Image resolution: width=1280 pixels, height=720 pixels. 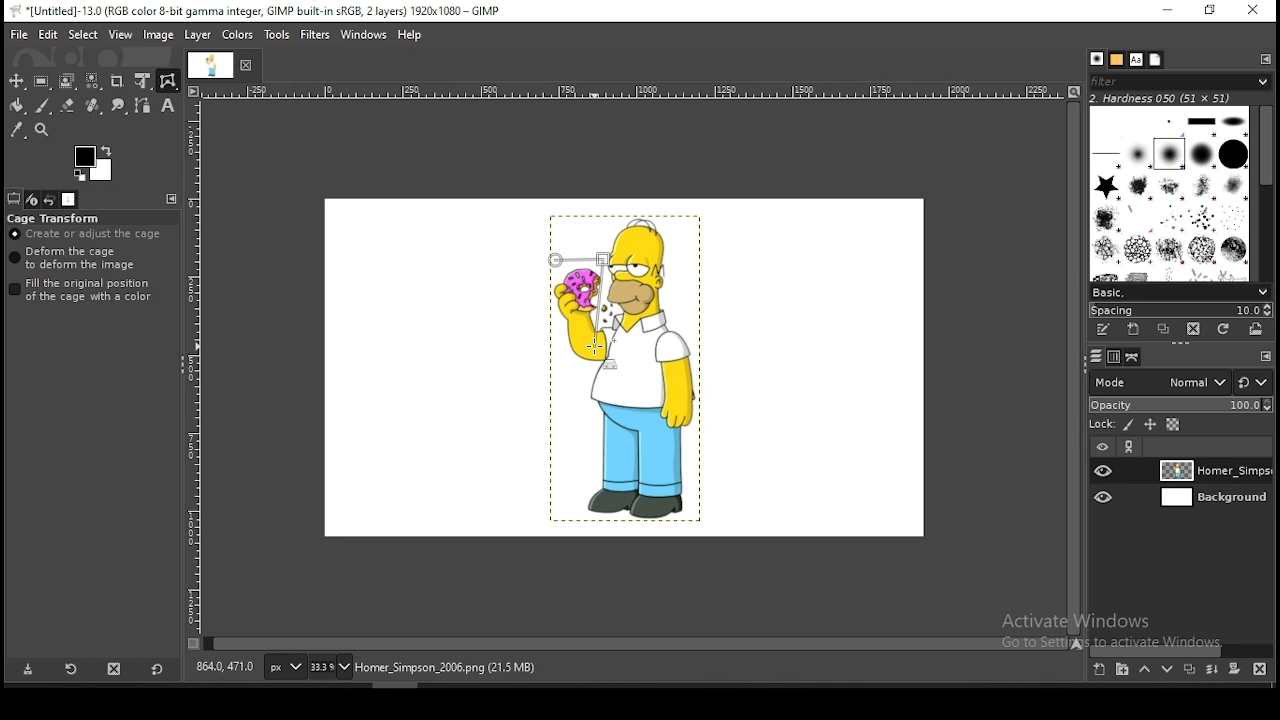 What do you see at coordinates (329, 667) in the screenshot?
I see `zoom status` at bounding box center [329, 667].